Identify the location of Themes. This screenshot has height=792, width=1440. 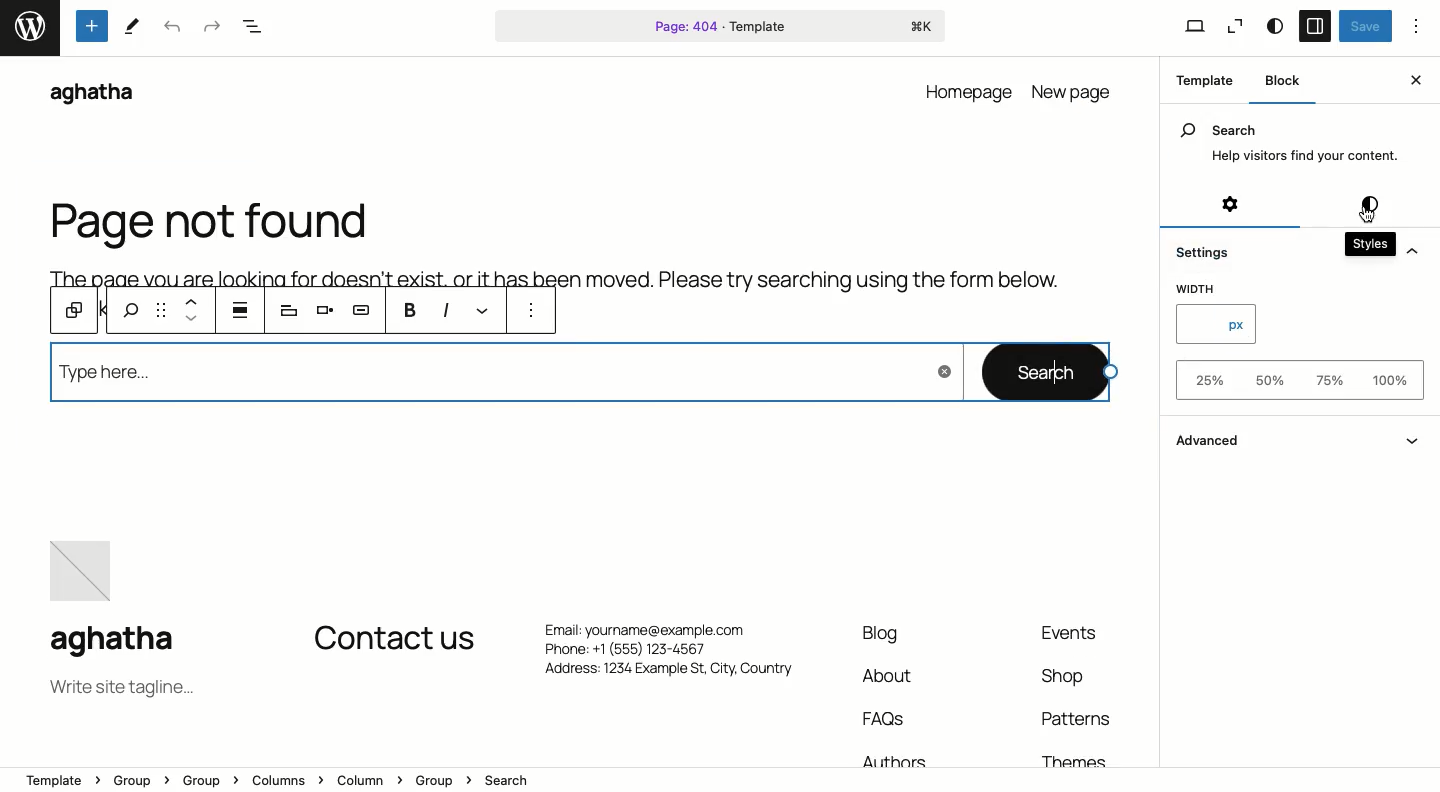
(1080, 758).